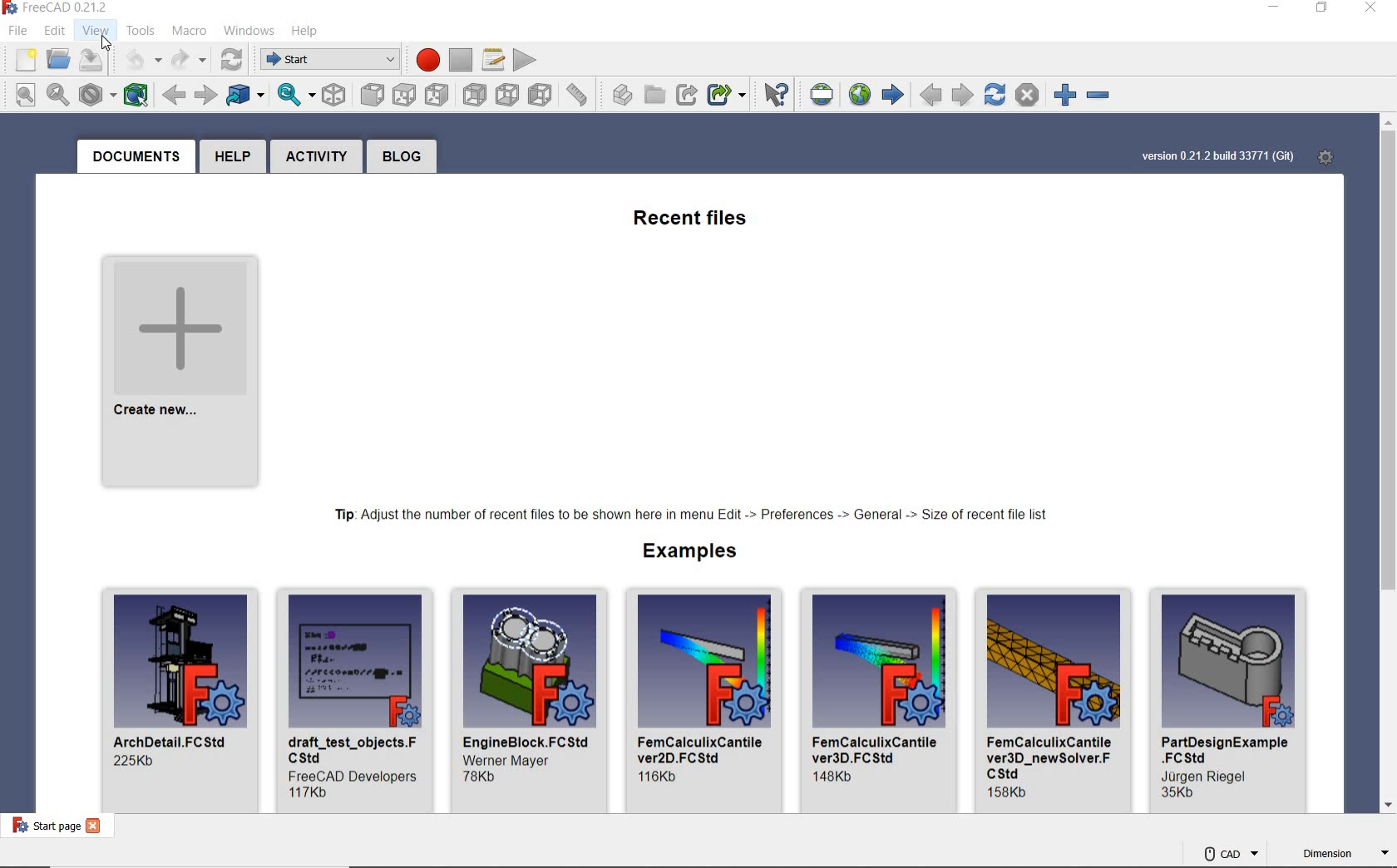 This screenshot has height=868, width=1397. I want to click on undo, so click(136, 60).